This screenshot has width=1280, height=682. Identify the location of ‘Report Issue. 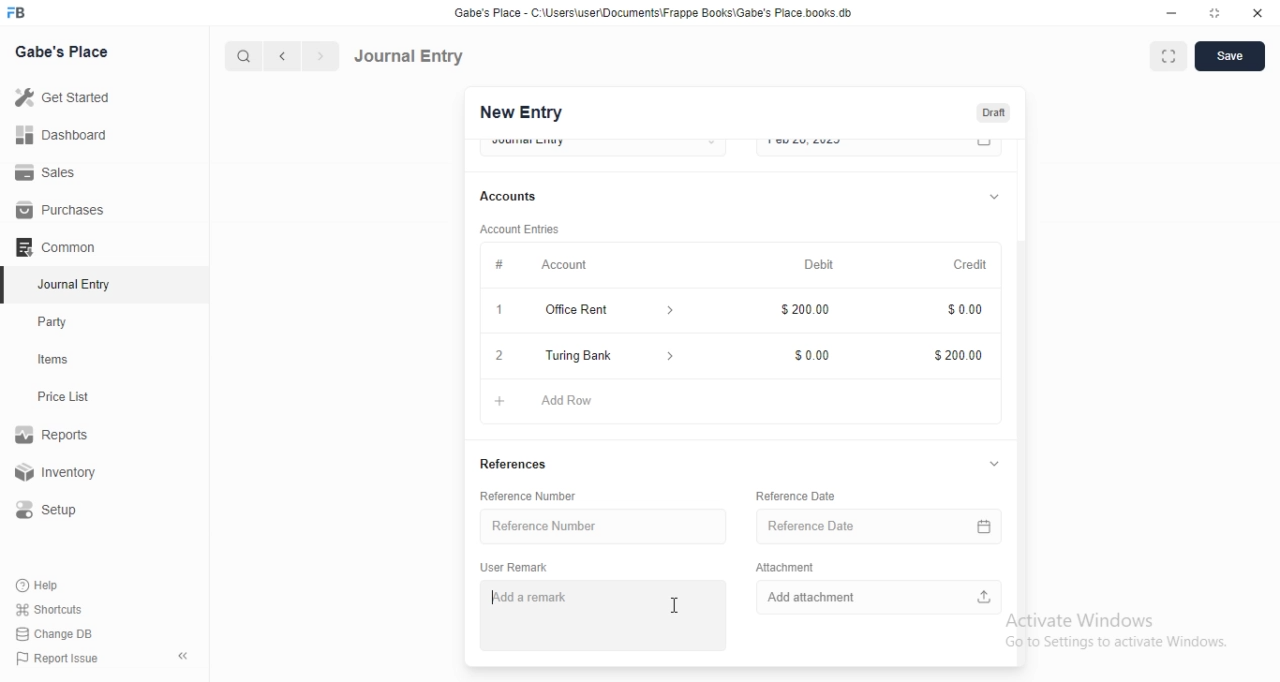
(55, 658).